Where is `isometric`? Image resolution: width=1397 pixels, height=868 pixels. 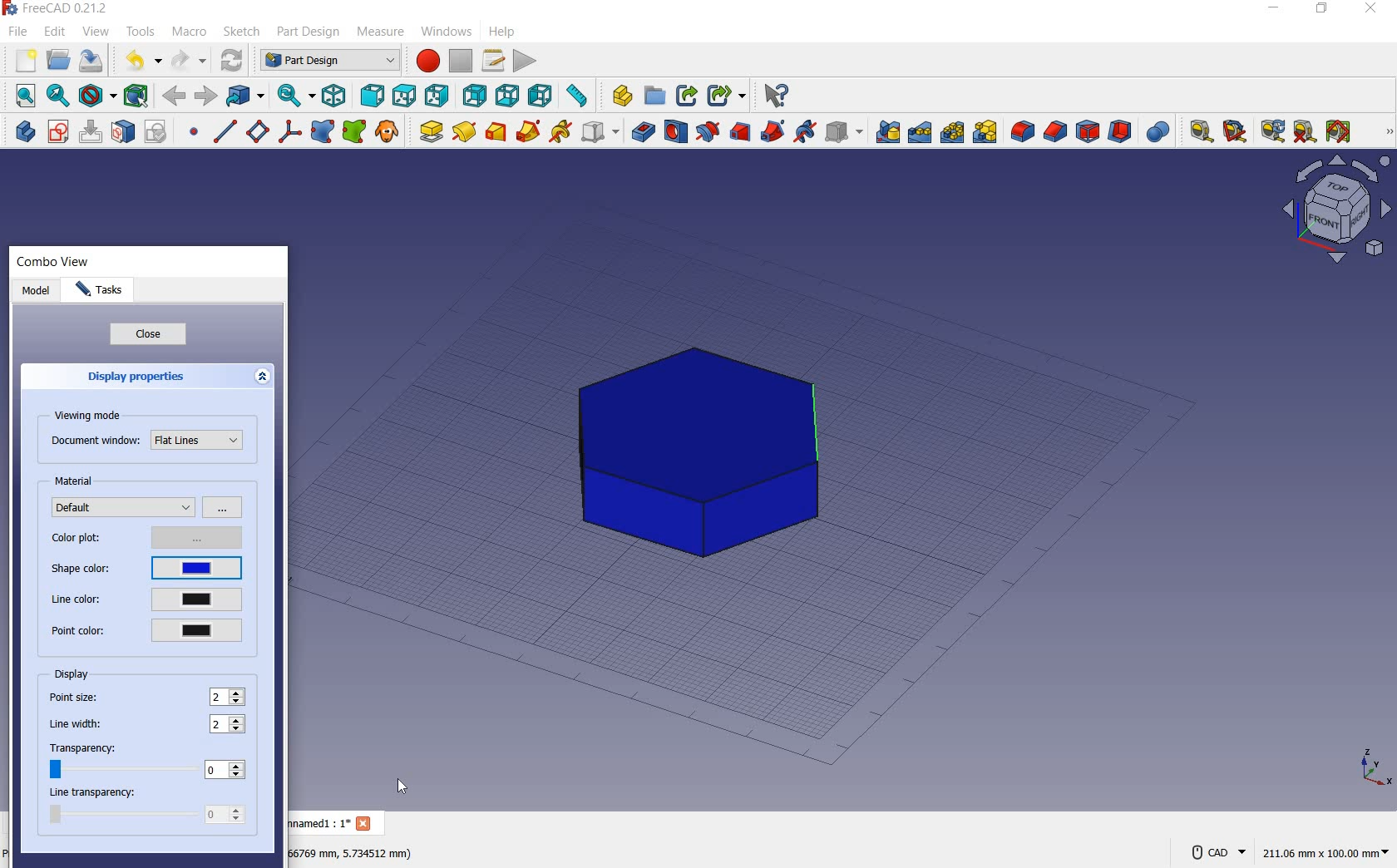
isometric is located at coordinates (337, 97).